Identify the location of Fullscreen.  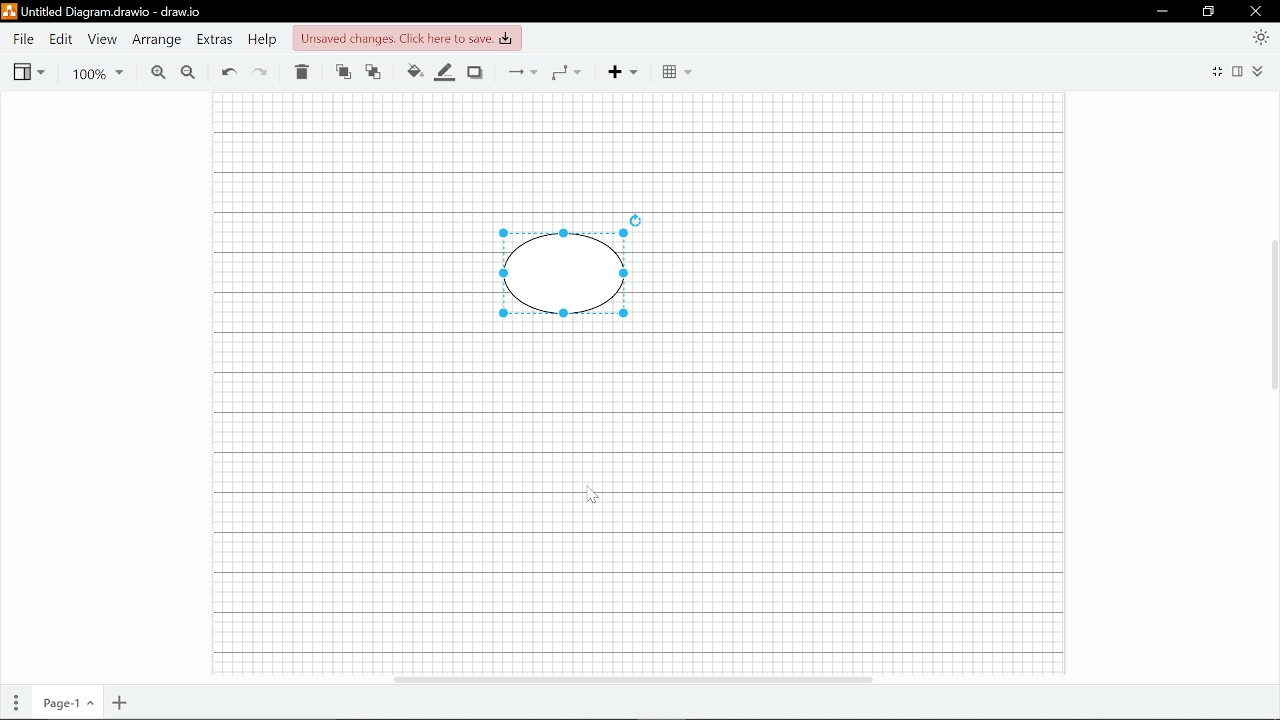
(1219, 70).